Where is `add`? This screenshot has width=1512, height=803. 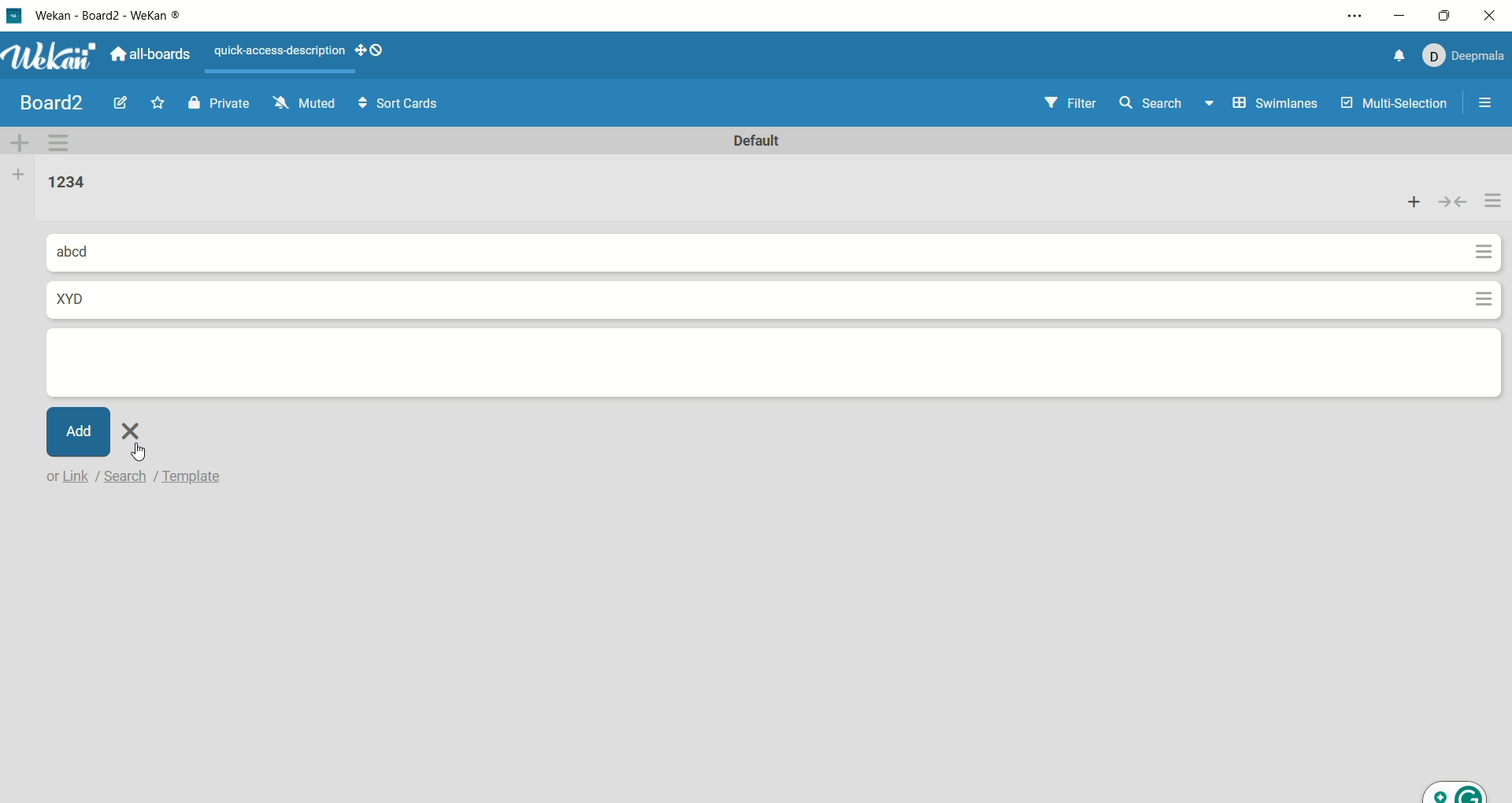
add is located at coordinates (1417, 202).